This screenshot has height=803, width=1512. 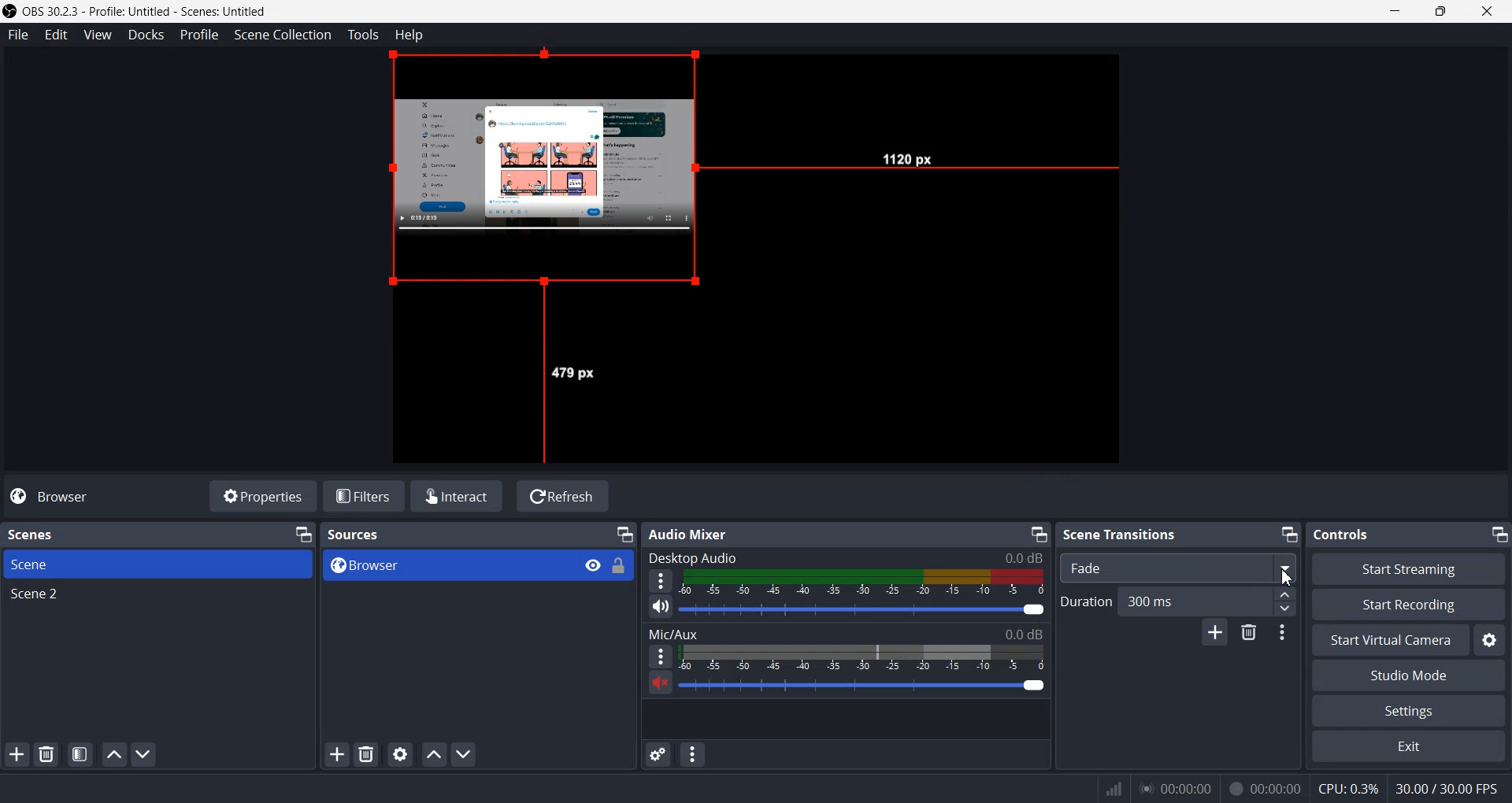 I want to click on Advance audio Properties, so click(x=658, y=754).